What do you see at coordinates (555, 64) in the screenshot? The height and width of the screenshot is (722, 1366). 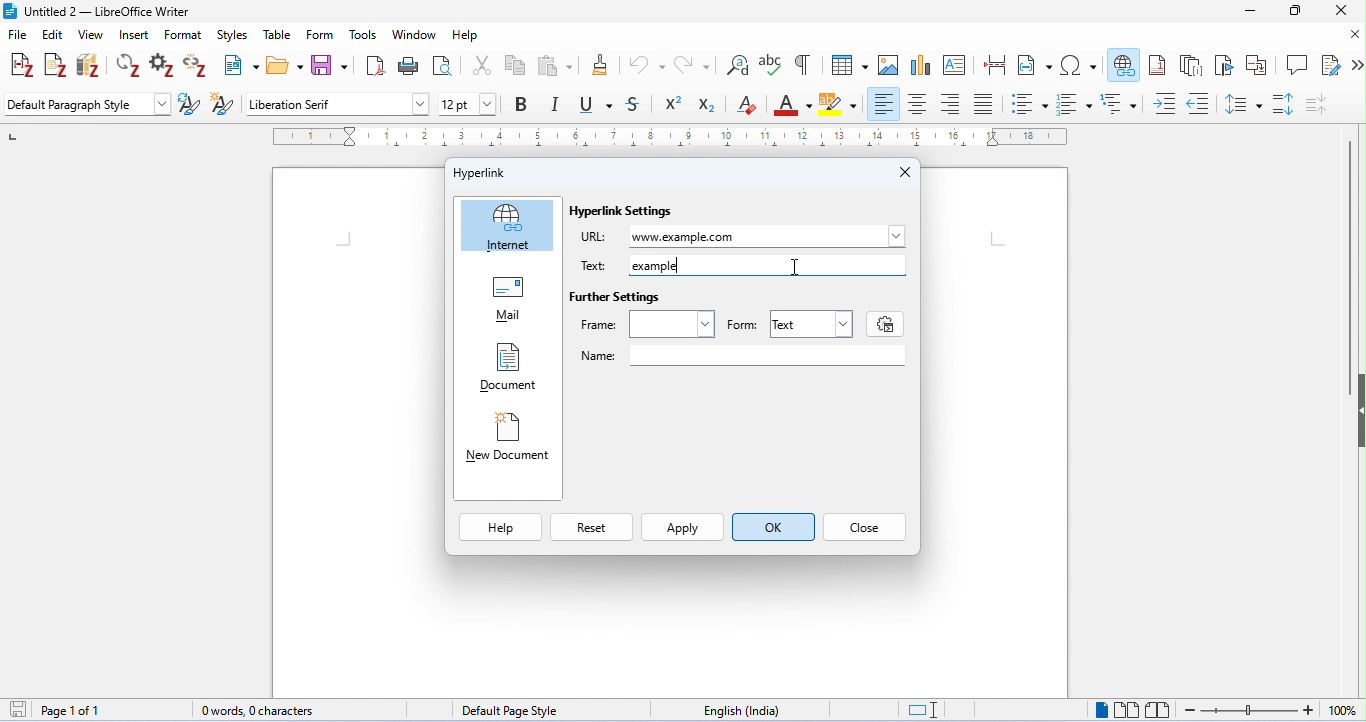 I see `paste` at bounding box center [555, 64].